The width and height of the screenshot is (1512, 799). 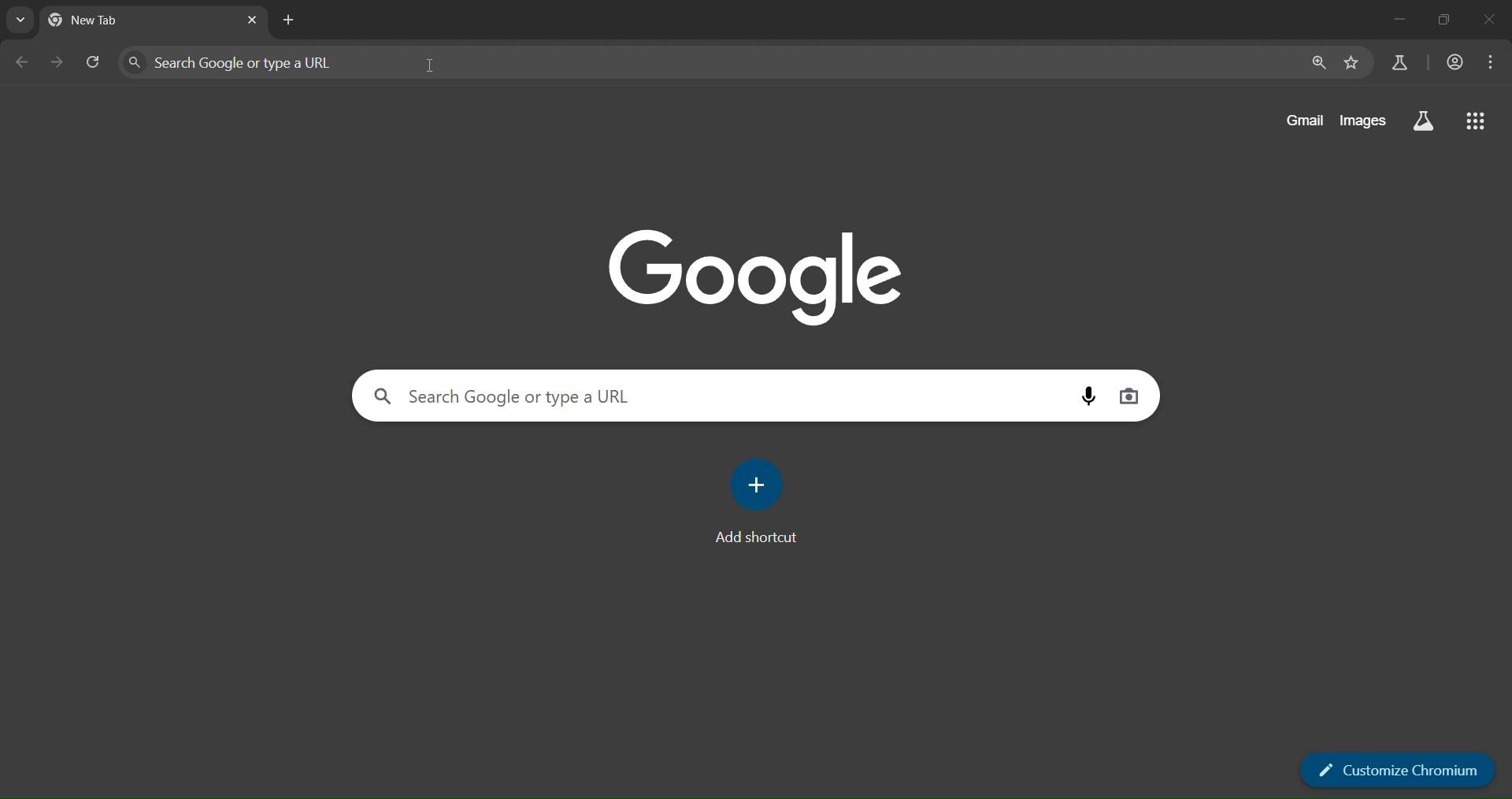 What do you see at coordinates (1475, 121) in the screenshot?
I see `google apps` at bounding box center [1475, 121].